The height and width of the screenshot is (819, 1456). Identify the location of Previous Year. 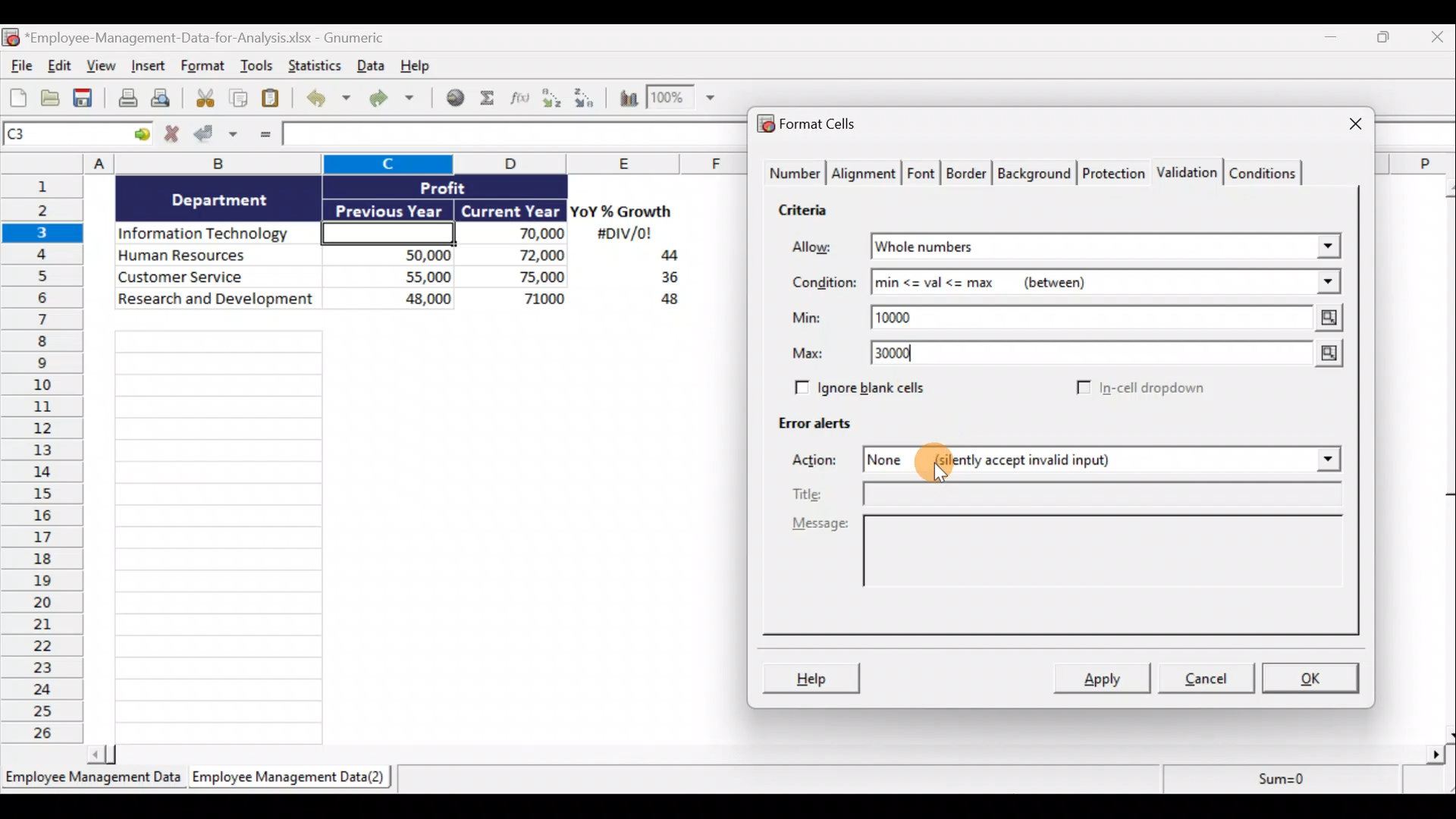
(390, 208).